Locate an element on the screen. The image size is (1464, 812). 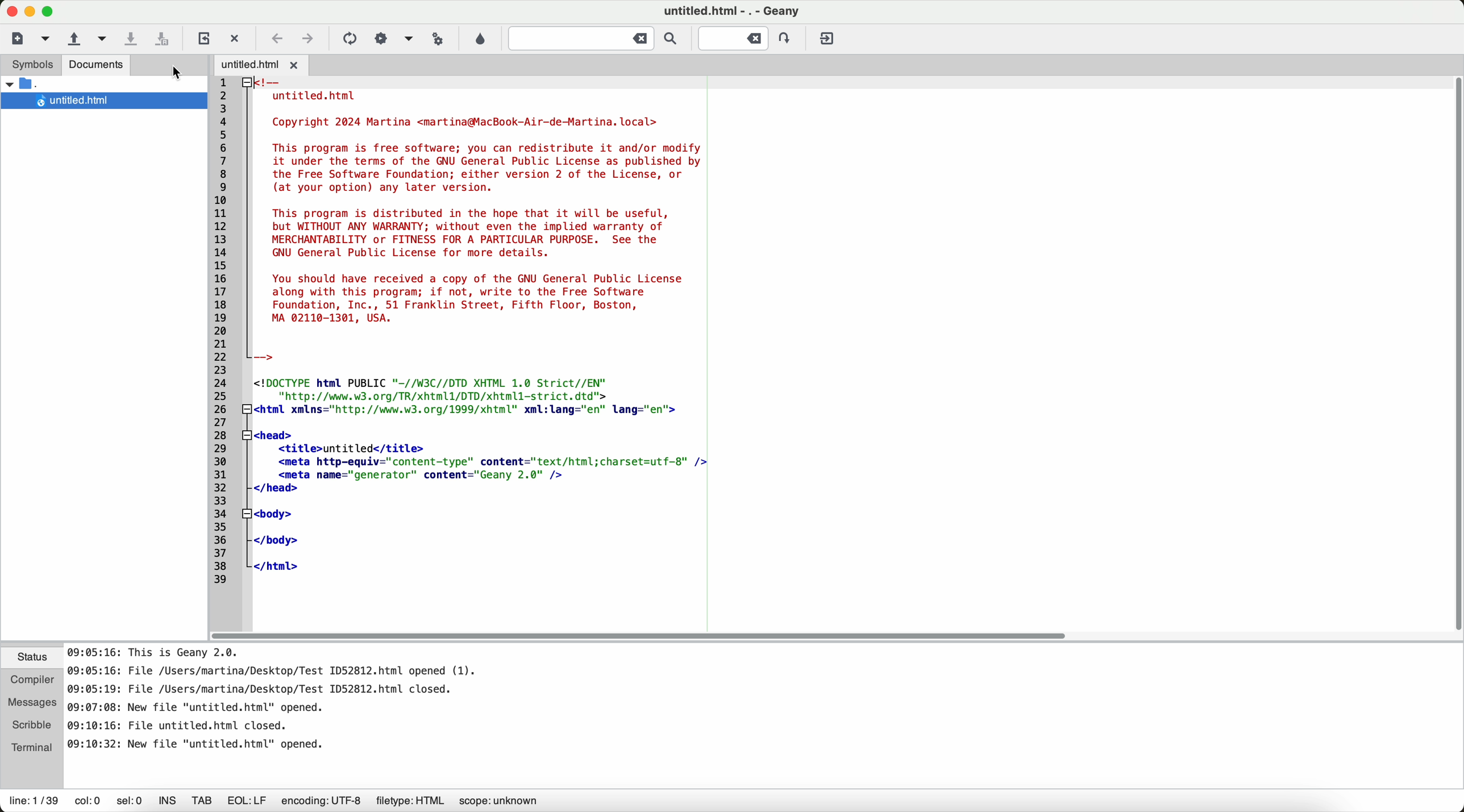
untitled.html-,-Geany is located at coordinates (732, 12).